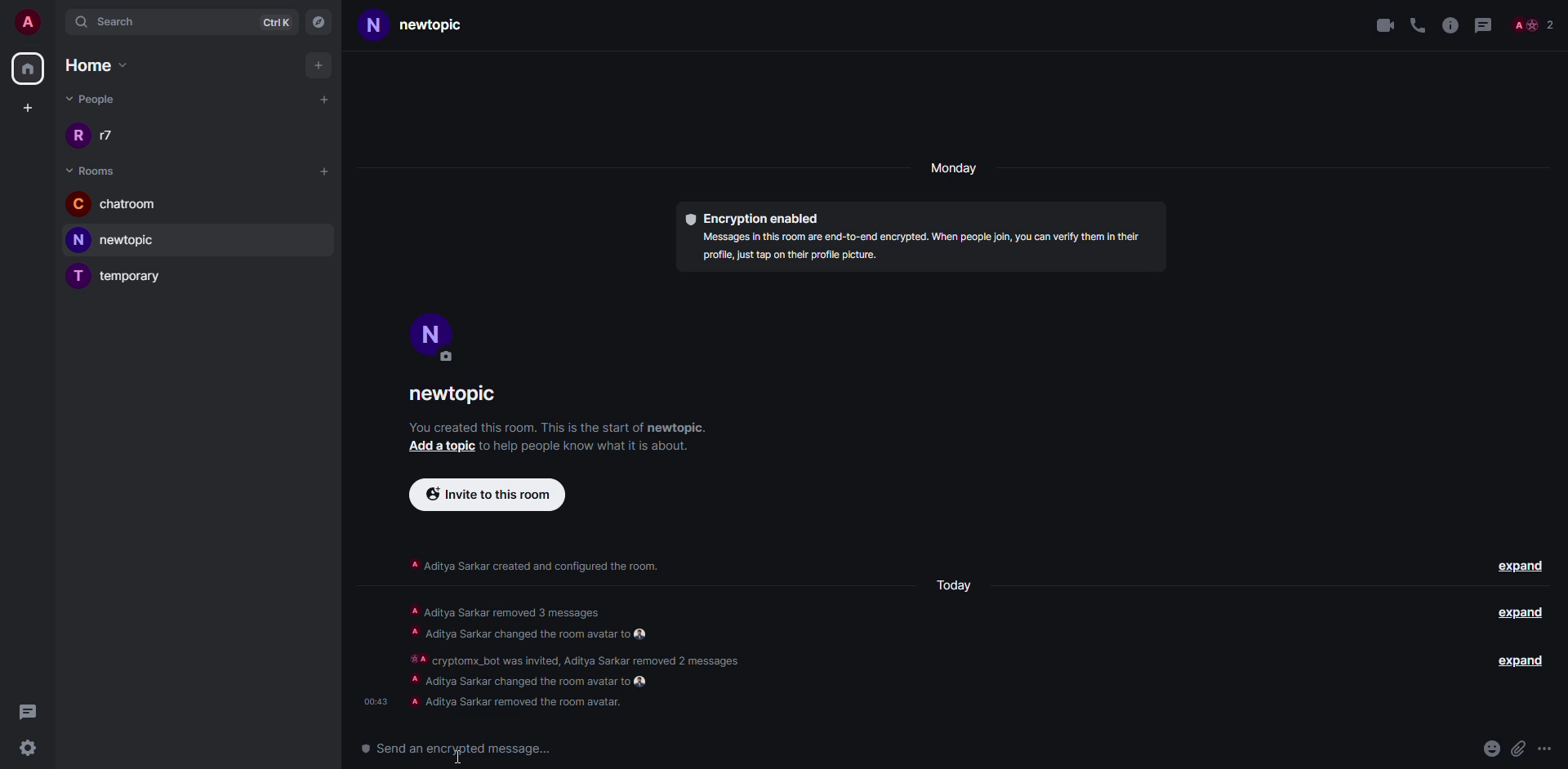  I want to click on threads, so click(28, 711).